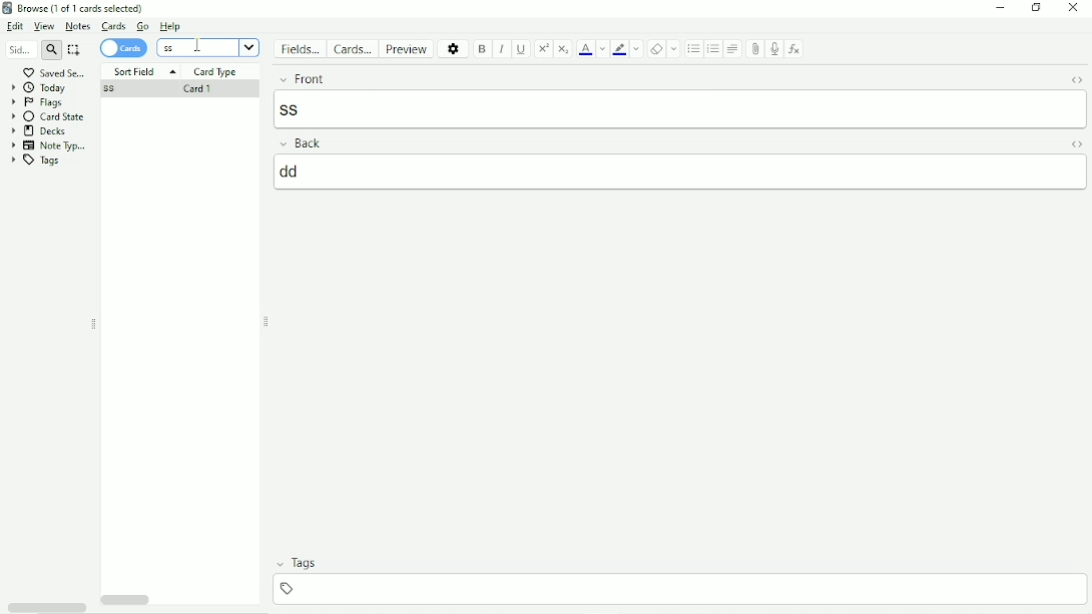 The height and width of the screenshot is (614, 1092). Describe the element at coordinates (197, 90) in the screenshot. I see `Card 1` at that location.